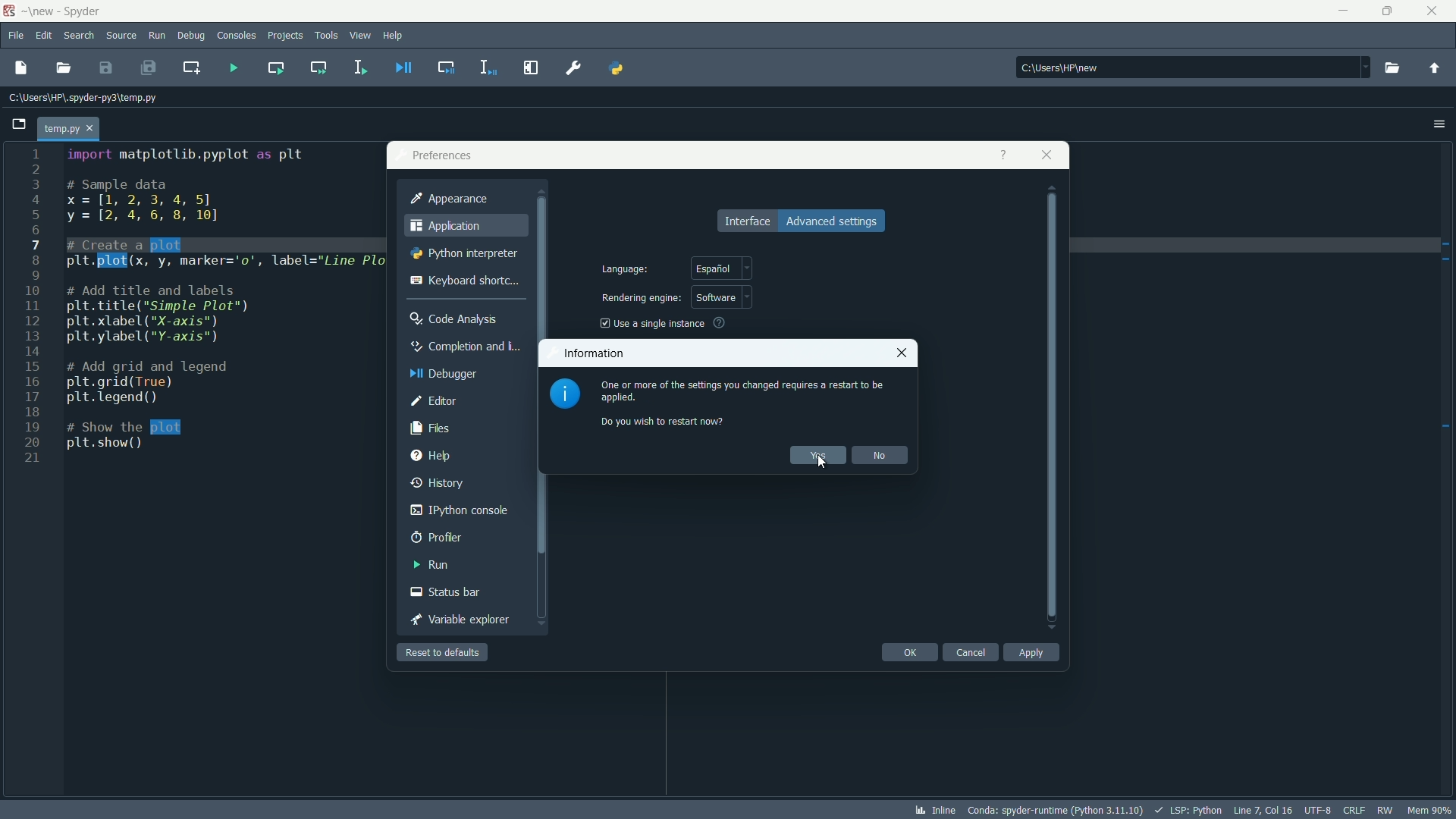 This screenshot has height=819, width=1456. What do you see at coordinates (456, 320) in the screenshot?
I see `code analysis` at bounding box center [456, 320].